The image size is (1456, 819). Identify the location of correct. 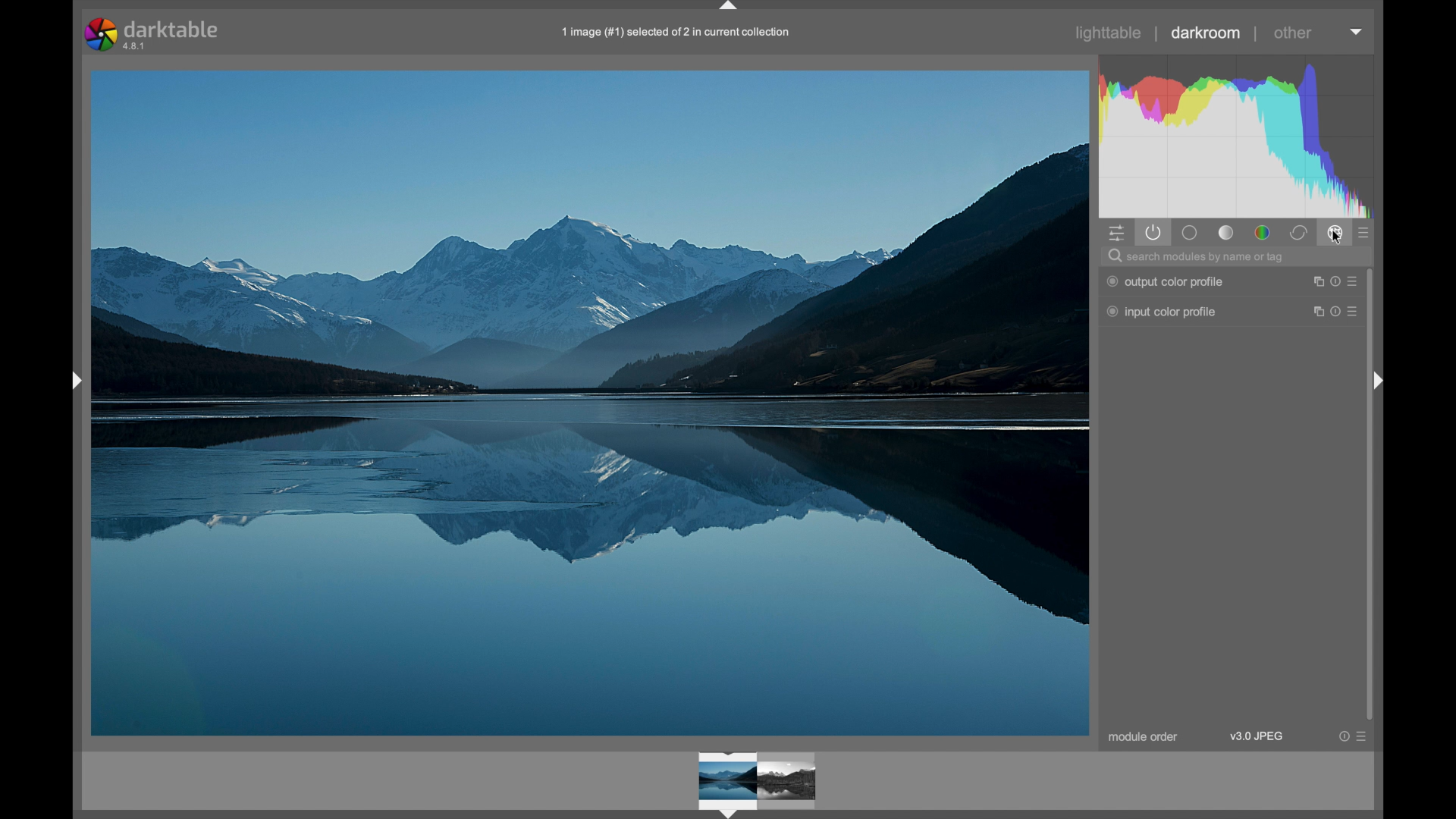
(1298, 234).